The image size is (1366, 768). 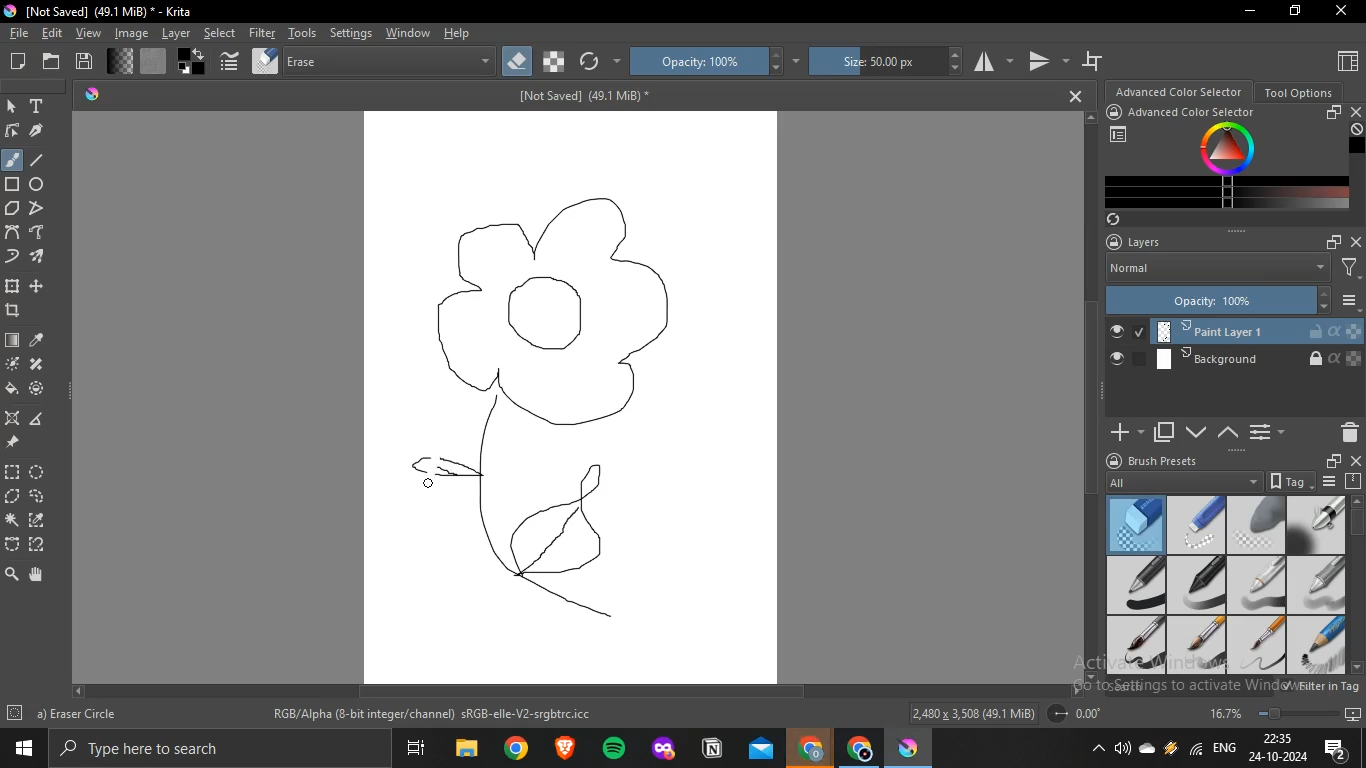 What do you see at coordinates (860, 748) in the screenshot?
I see `Application` at bounding box center [860, 748].